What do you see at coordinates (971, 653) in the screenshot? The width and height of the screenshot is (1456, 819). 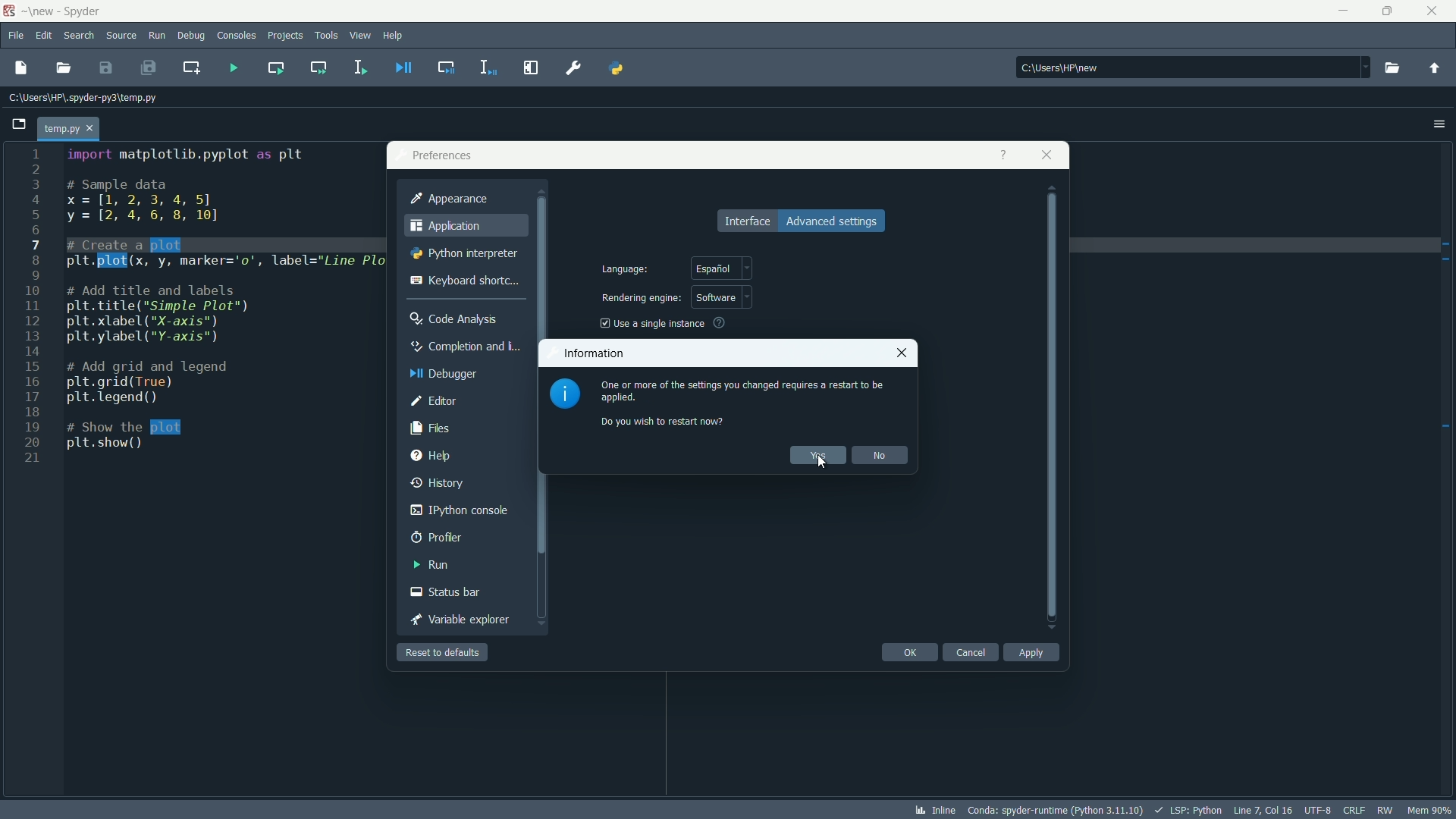 I see `cancel` at bounding box center [971, 653].